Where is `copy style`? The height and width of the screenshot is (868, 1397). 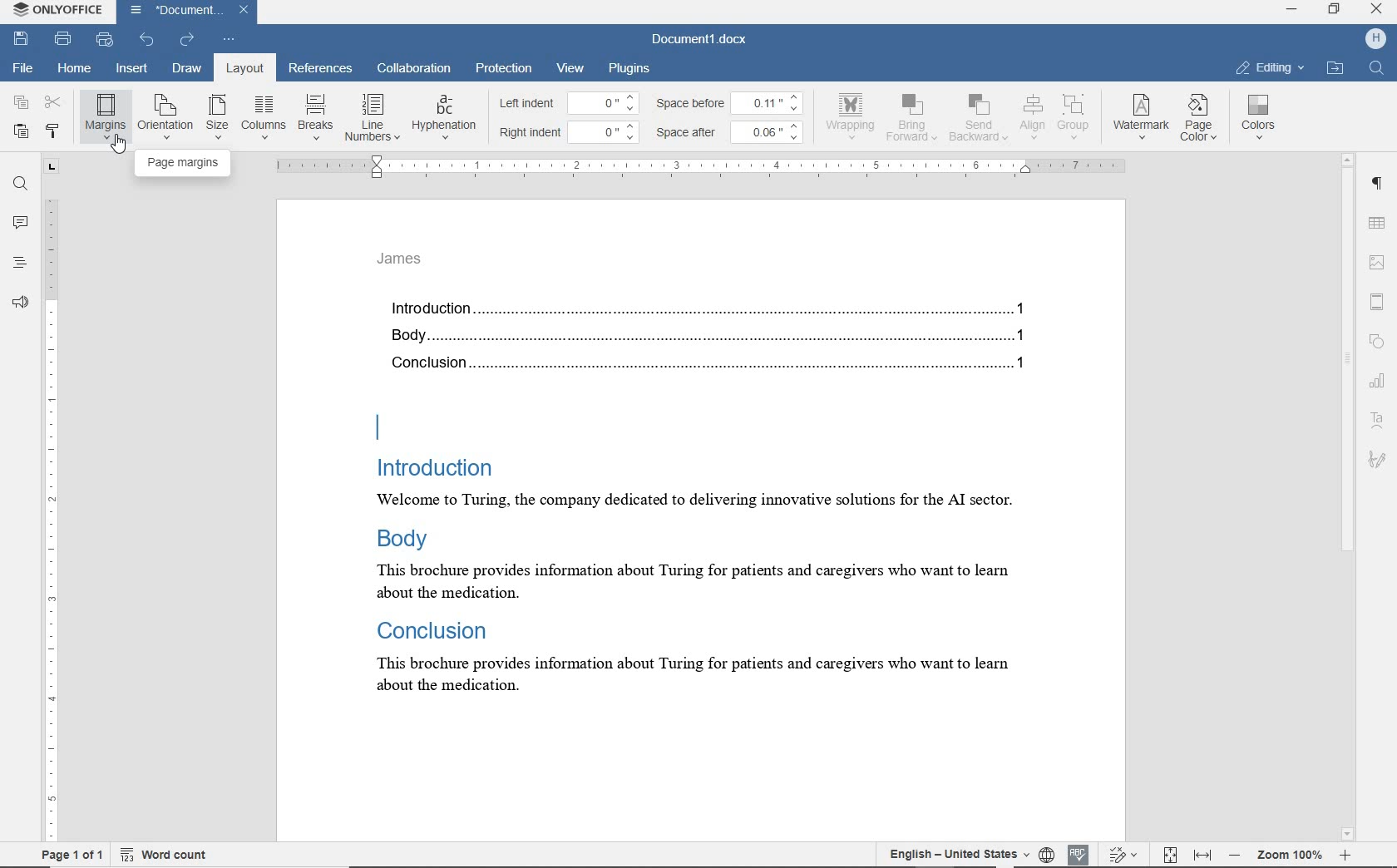
copy style is located at coordinates (53, 132).